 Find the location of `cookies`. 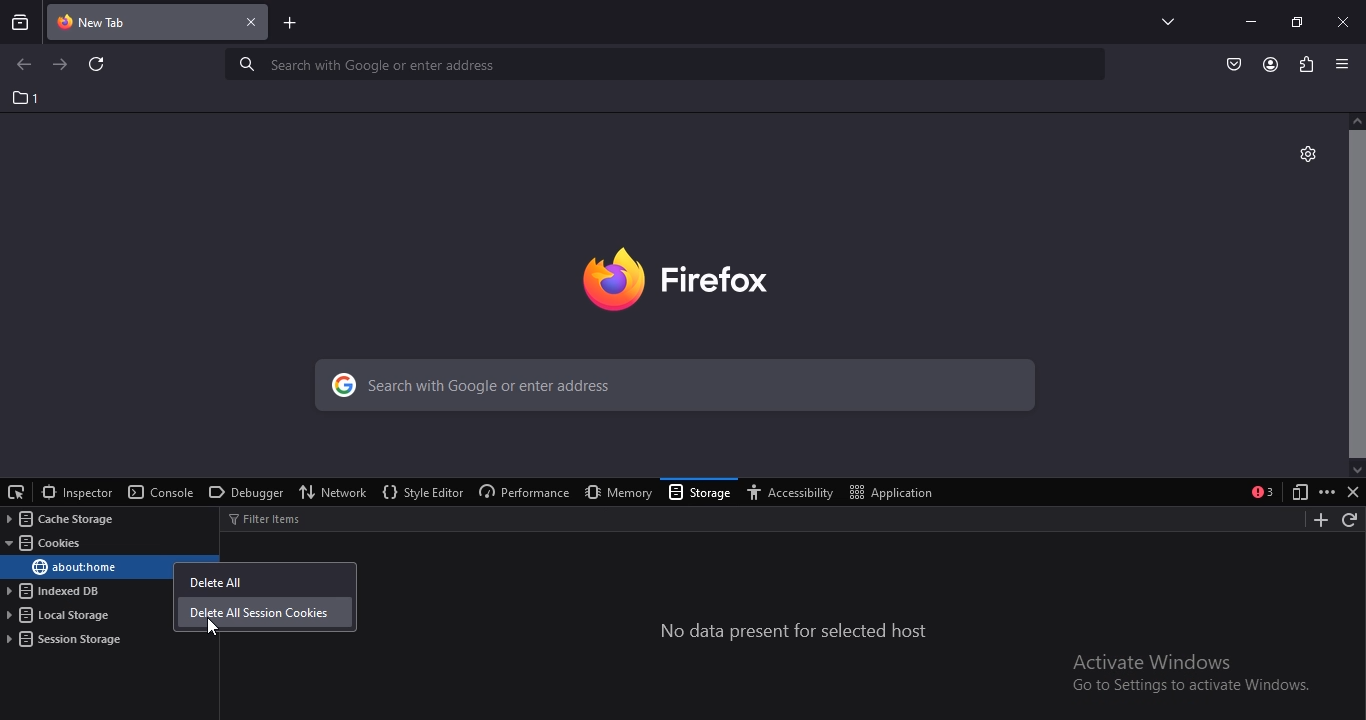

cookies is located at coordinates (48, 544).